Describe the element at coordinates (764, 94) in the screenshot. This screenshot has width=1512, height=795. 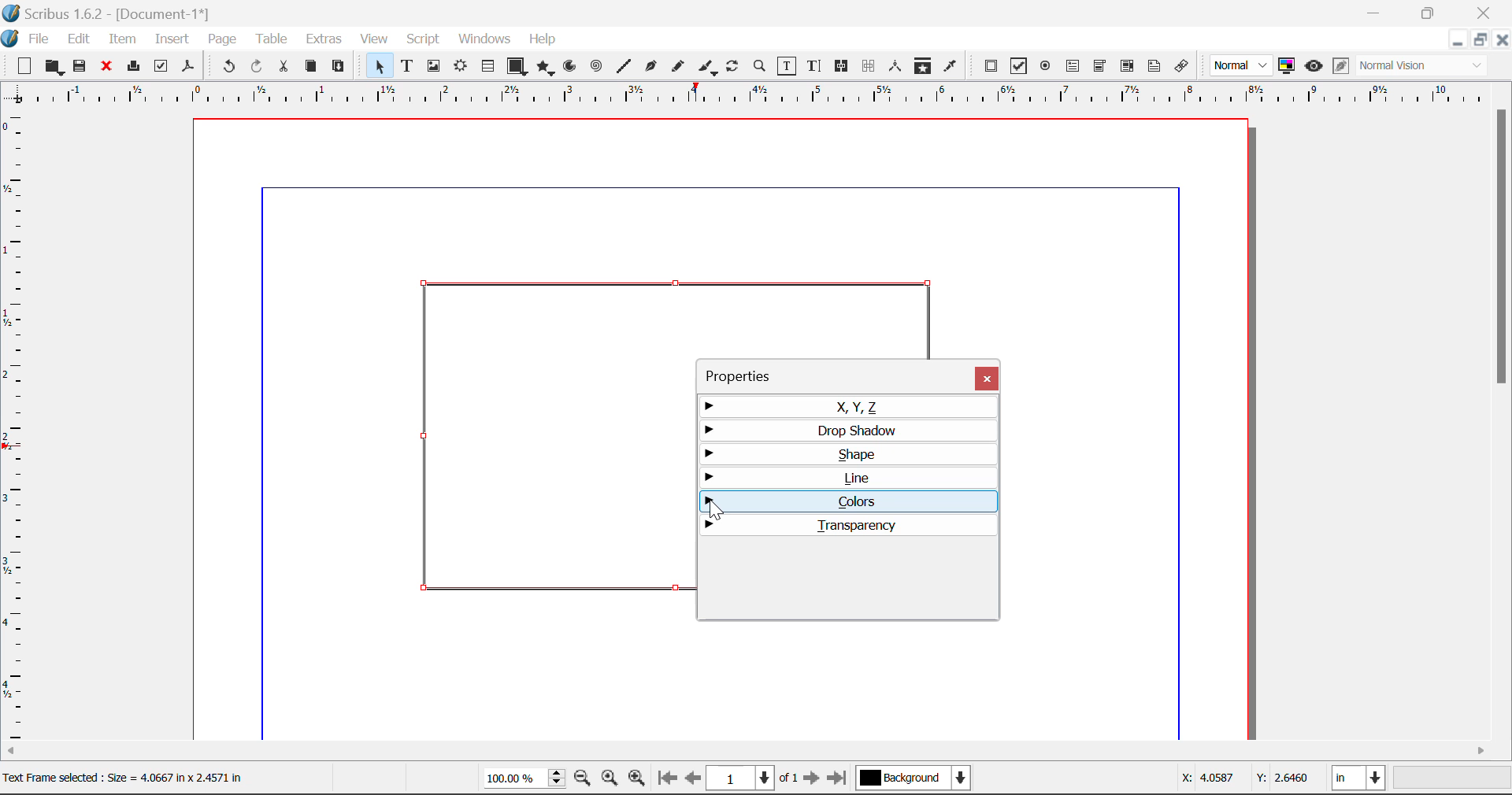
I see `Vertical Page Margins` at that location.